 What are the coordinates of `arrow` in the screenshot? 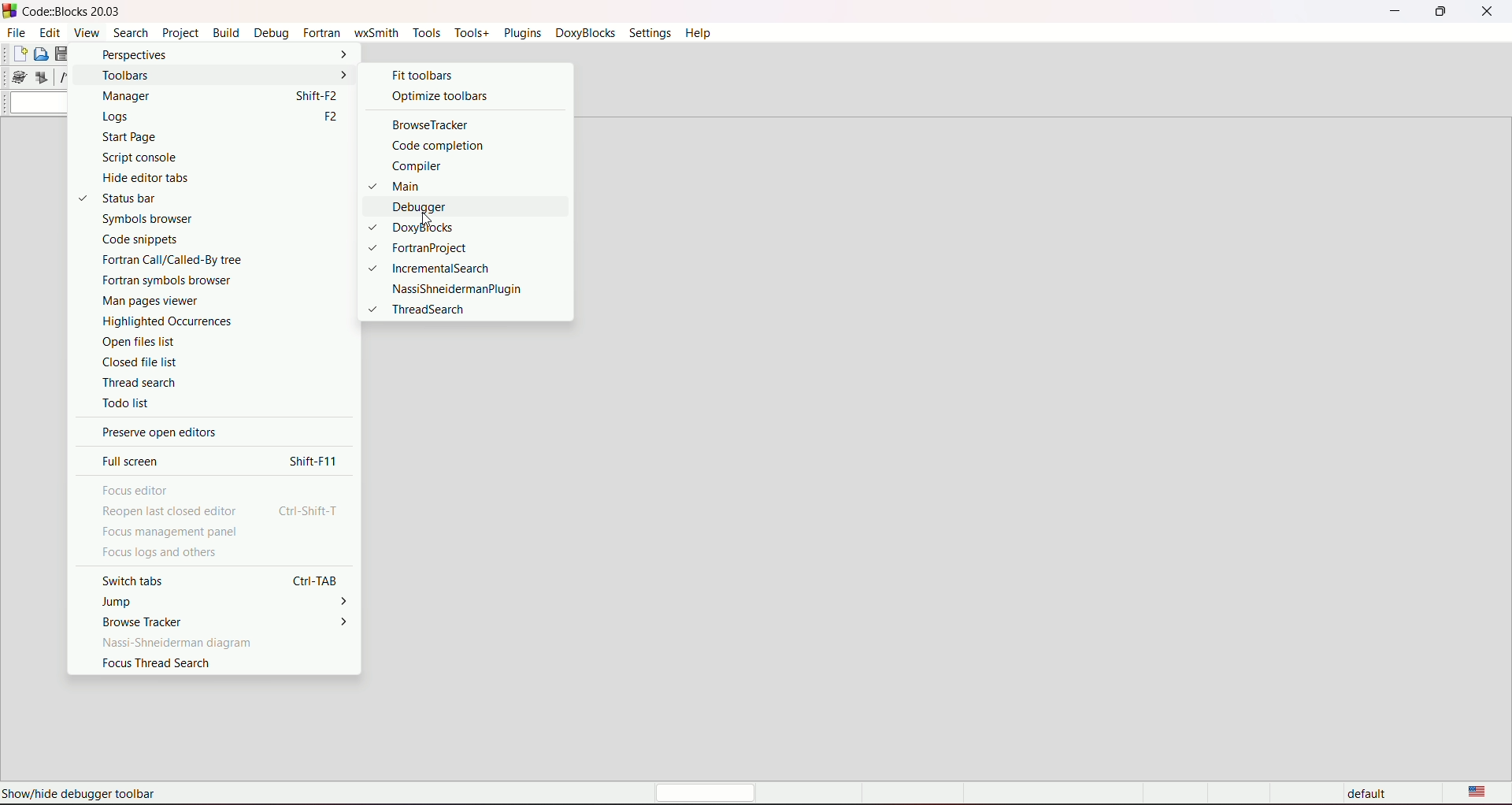 It's located at (341, 54).